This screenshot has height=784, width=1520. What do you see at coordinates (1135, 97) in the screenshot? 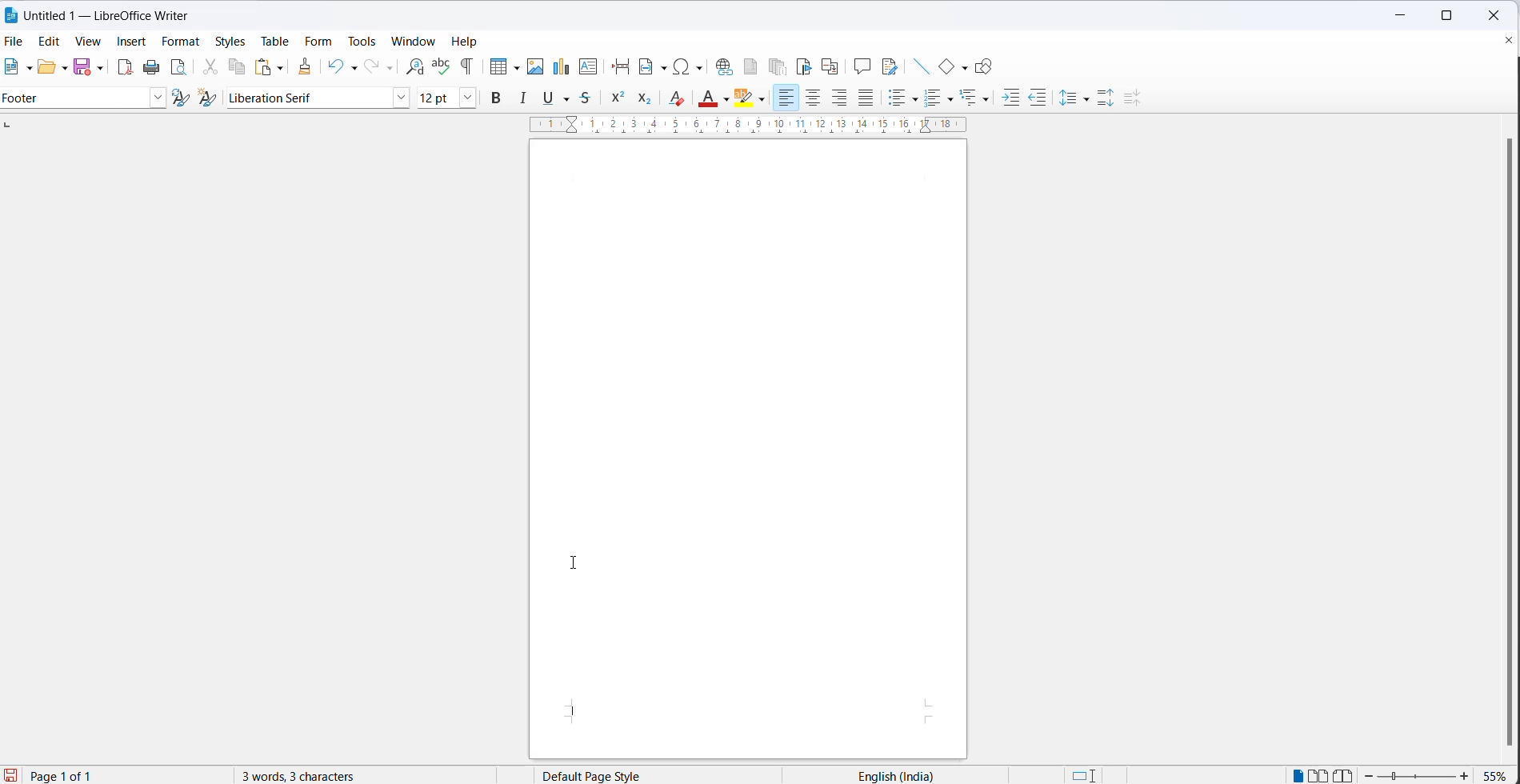
I see `decrease paragraph spacing` at bounding box center [1135, 97].